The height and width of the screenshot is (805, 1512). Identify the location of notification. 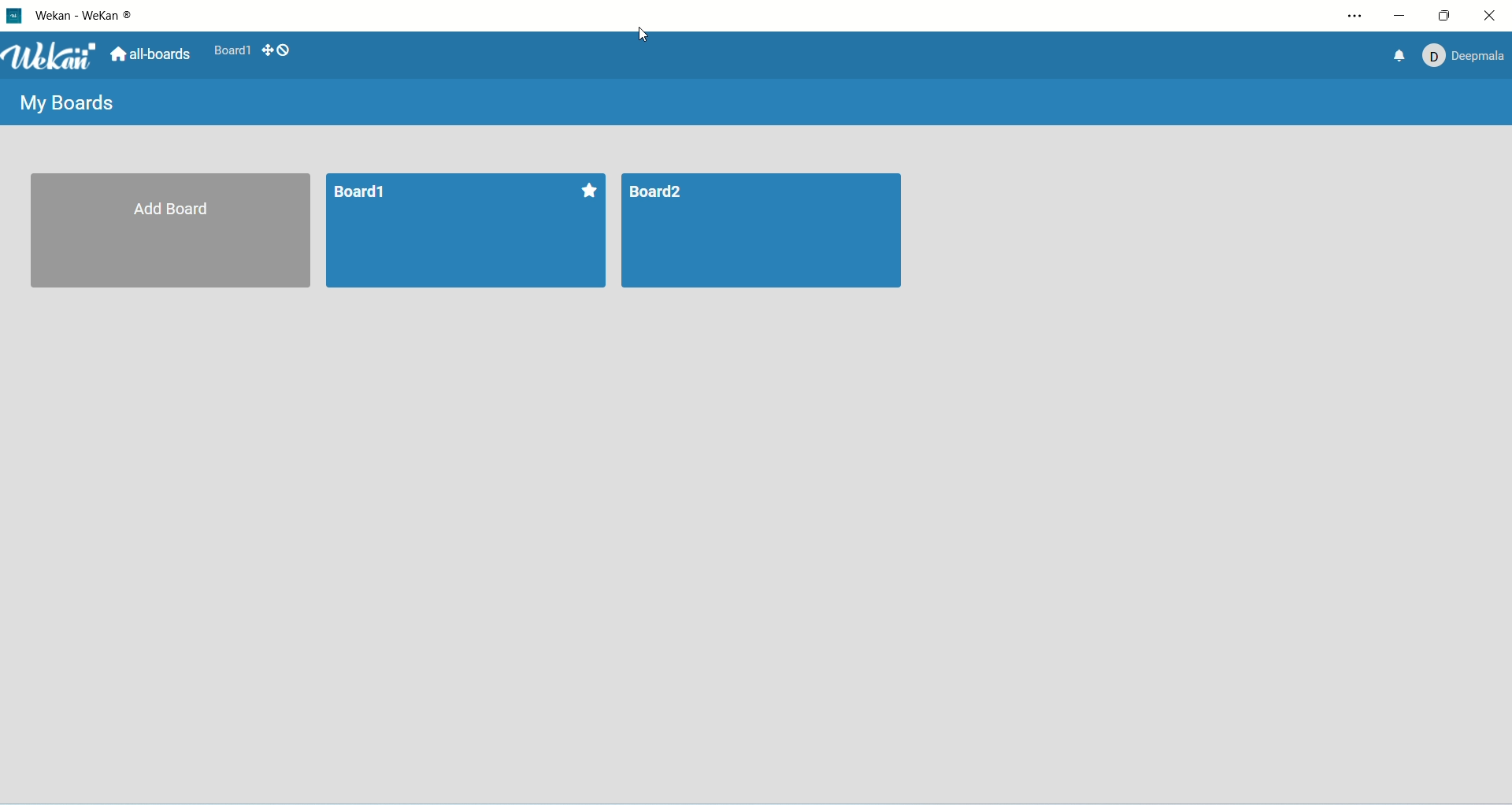
(1396, 57).